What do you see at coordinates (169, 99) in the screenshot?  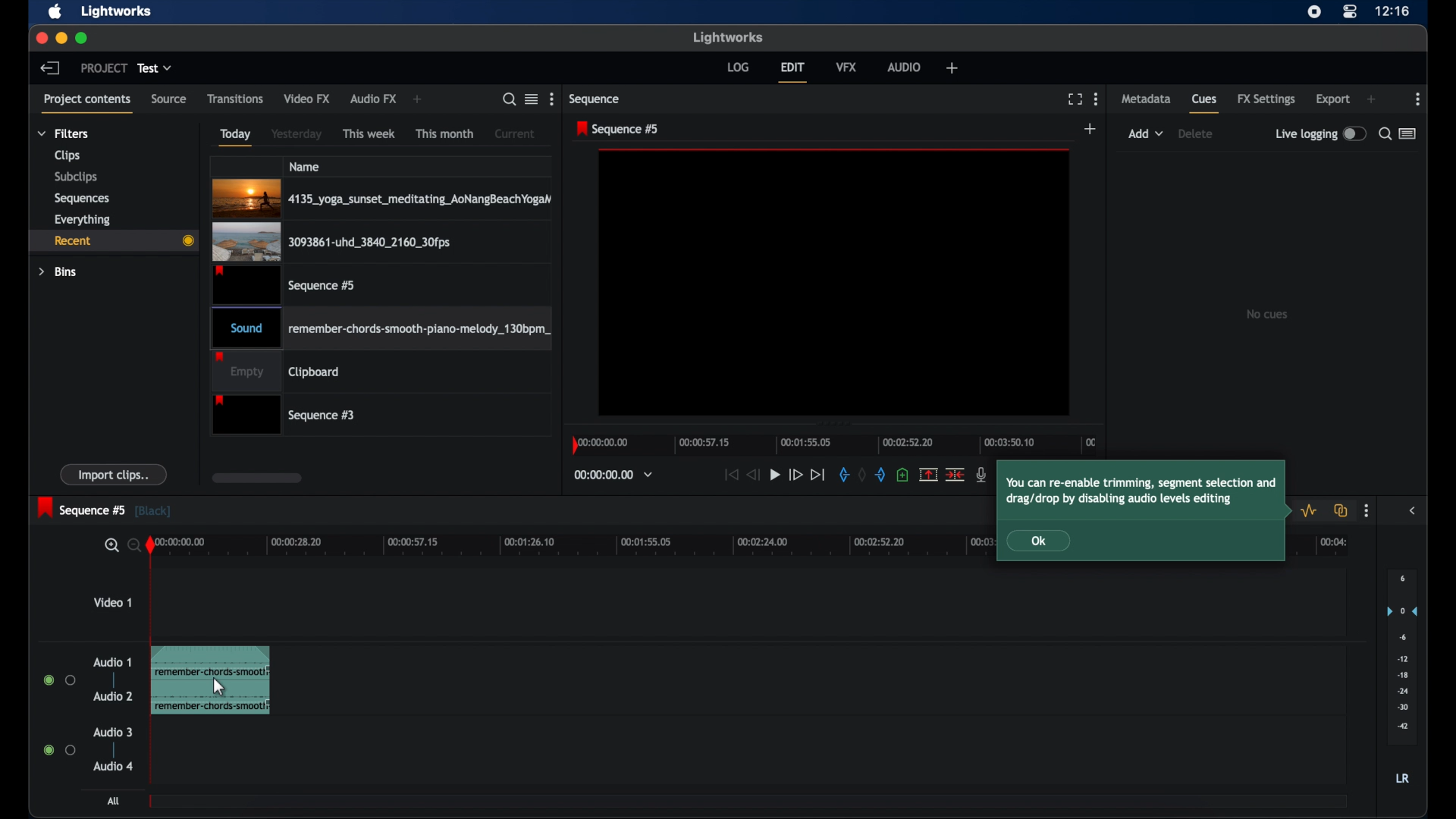 I see `source` at bounding box center [169, 99].